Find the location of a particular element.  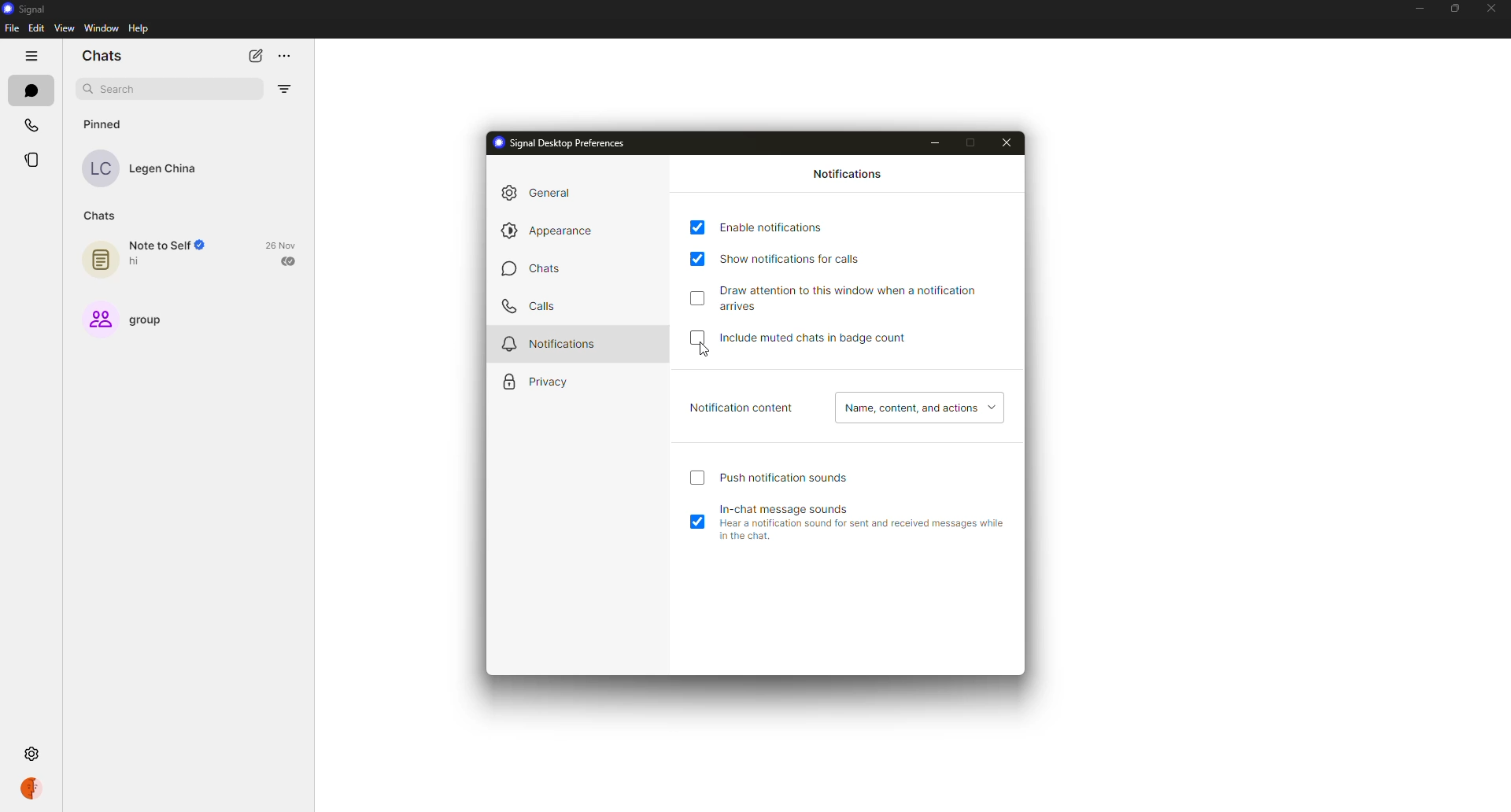

include muted chats in badge count is located at coordinates (807, 339).